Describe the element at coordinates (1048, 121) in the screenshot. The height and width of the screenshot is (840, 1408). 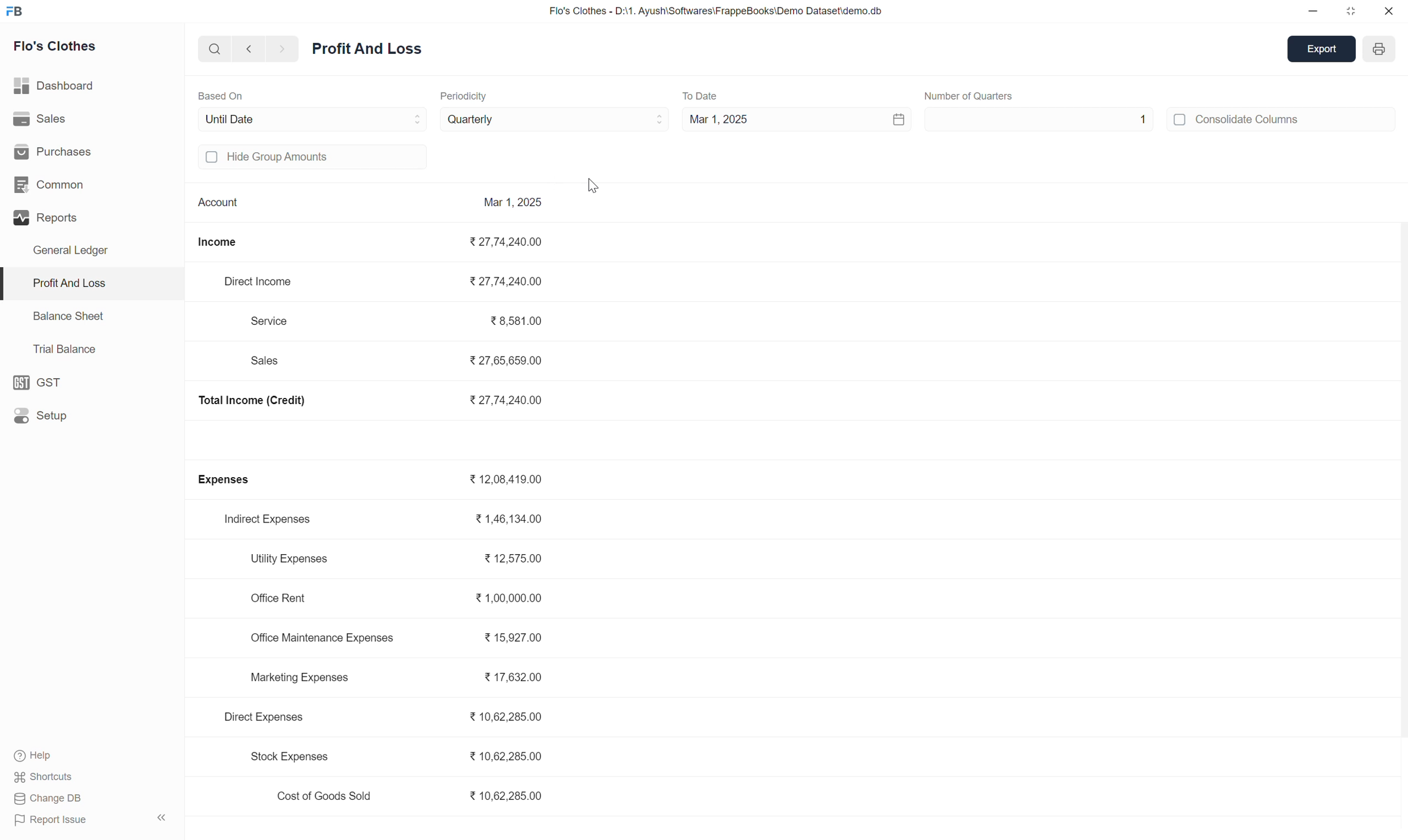
I see `1` at that location.